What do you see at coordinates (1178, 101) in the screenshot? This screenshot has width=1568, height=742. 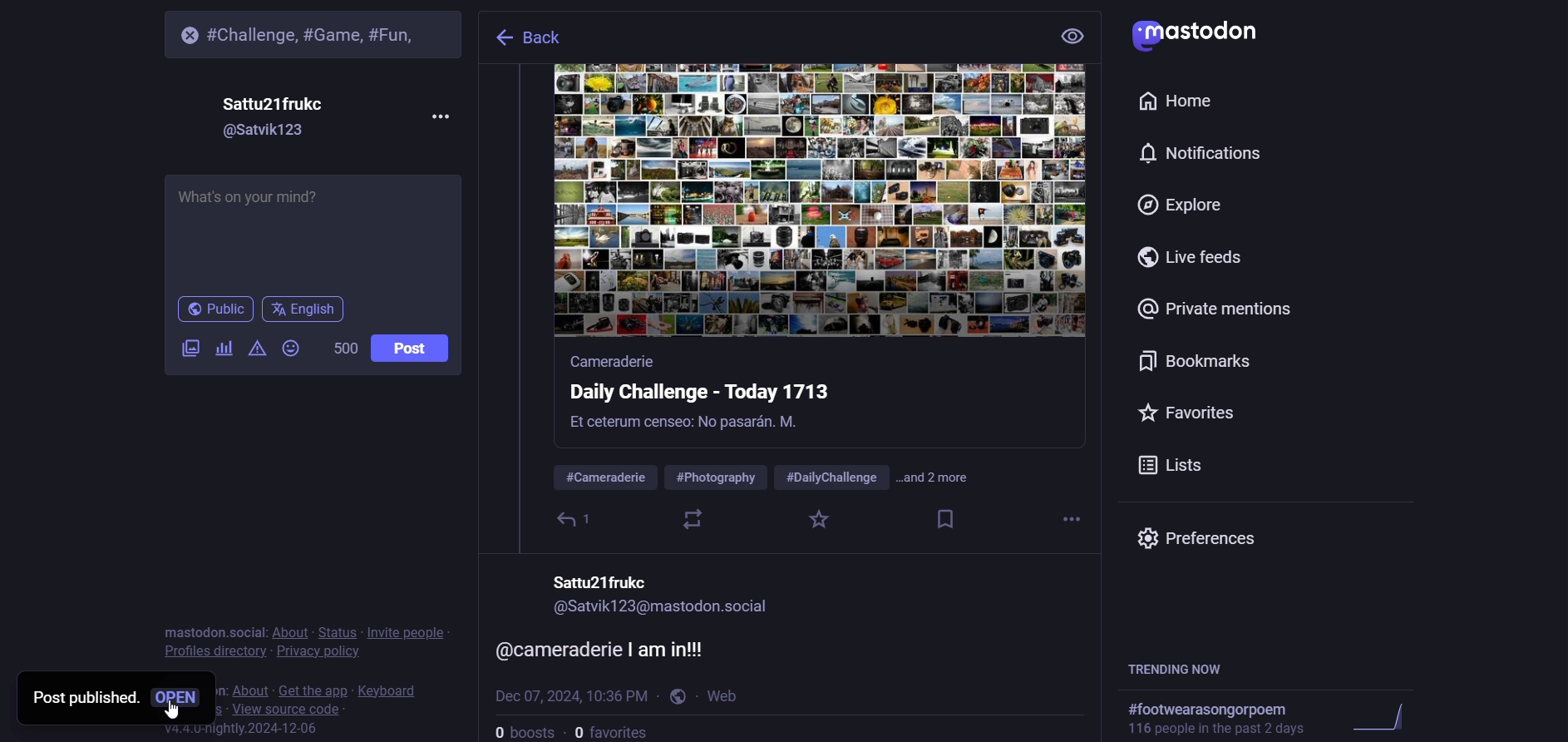 I see `home` at bounding box center [1178, 101].